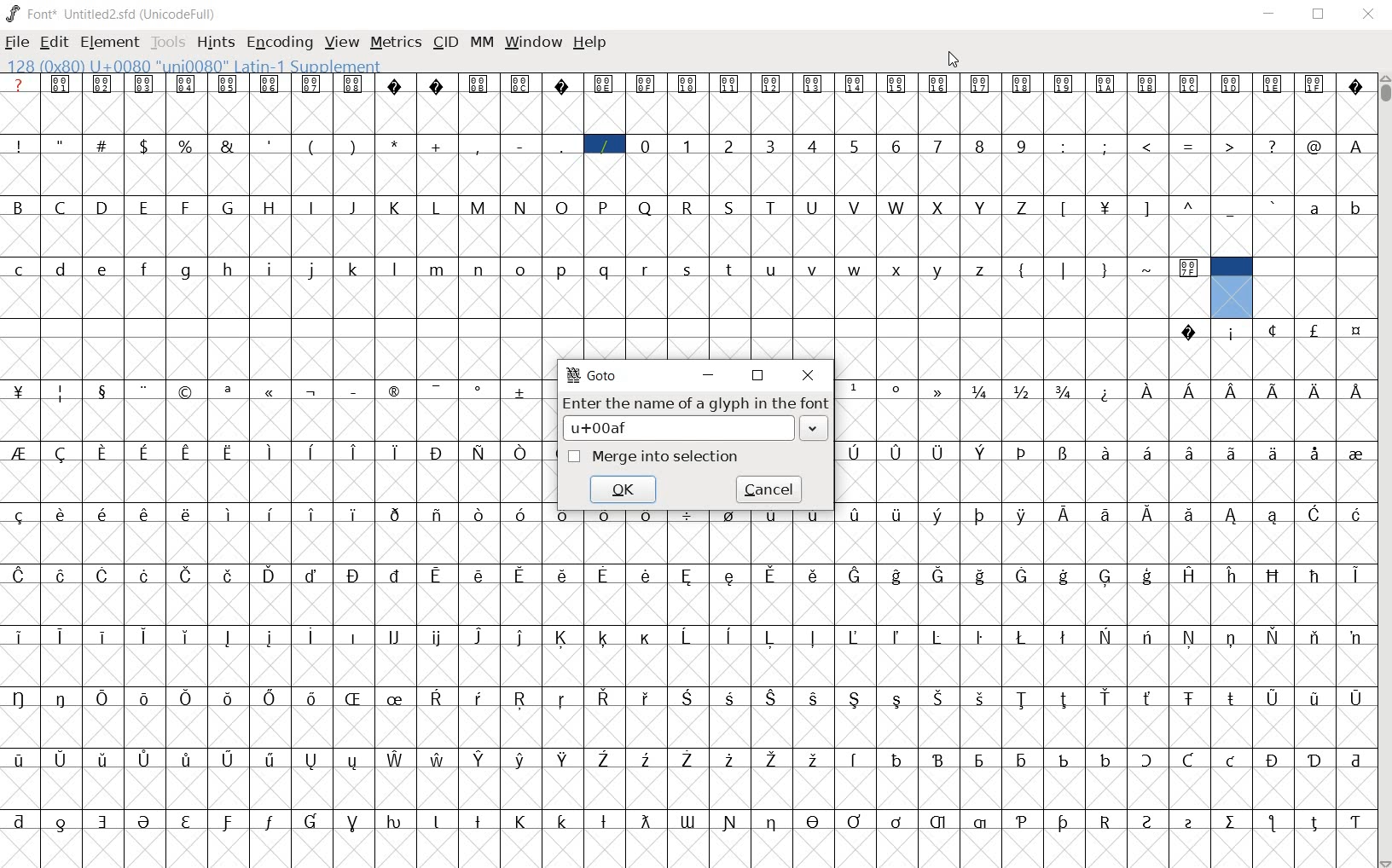 This screenshot has height=868, width=1392. Describe the element at coordinates (525, 698) in the screenshot. I see `Symbol` at that location.